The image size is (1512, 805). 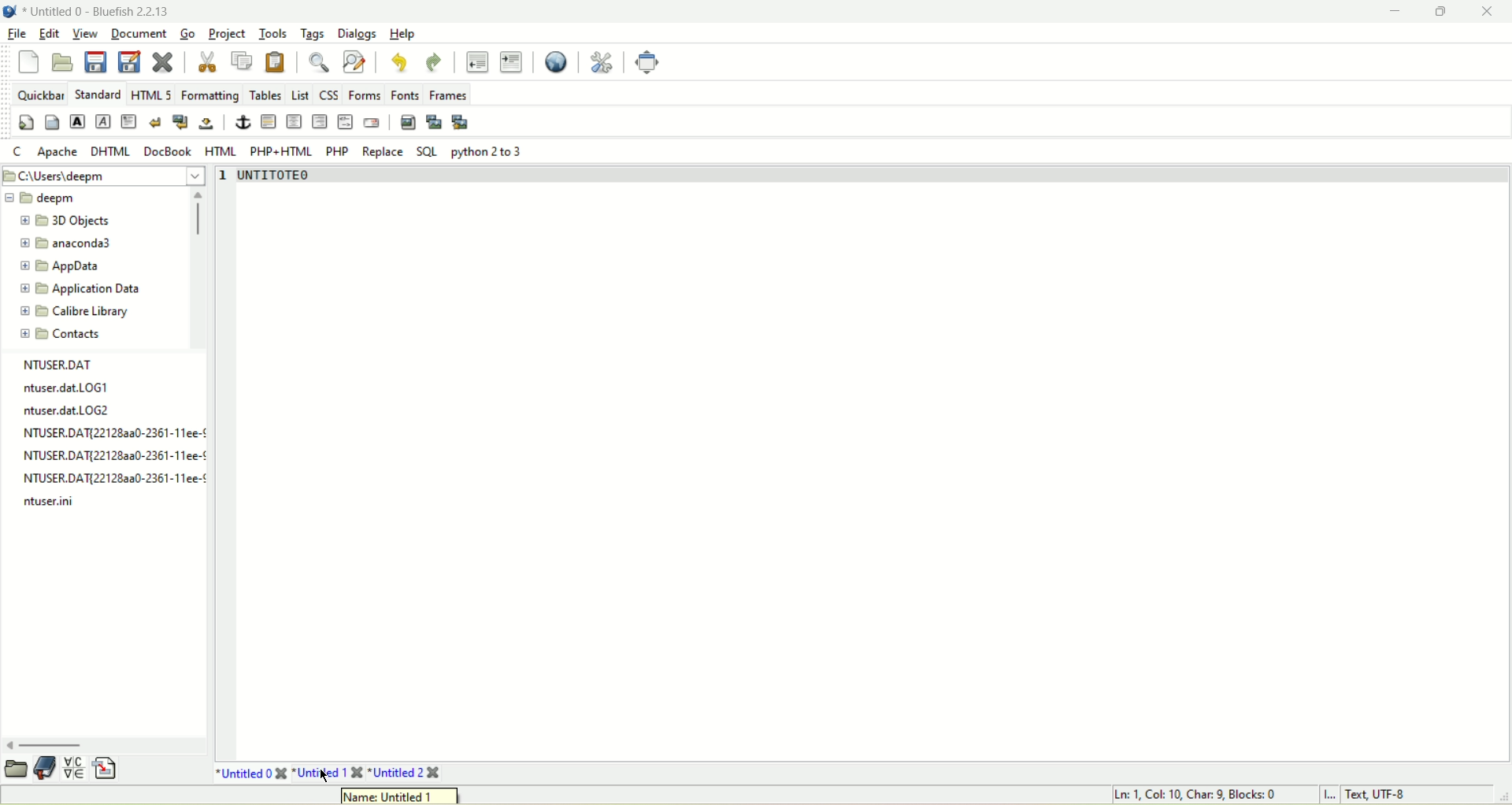 I want to click on Frames, so click(x=452, y=93).